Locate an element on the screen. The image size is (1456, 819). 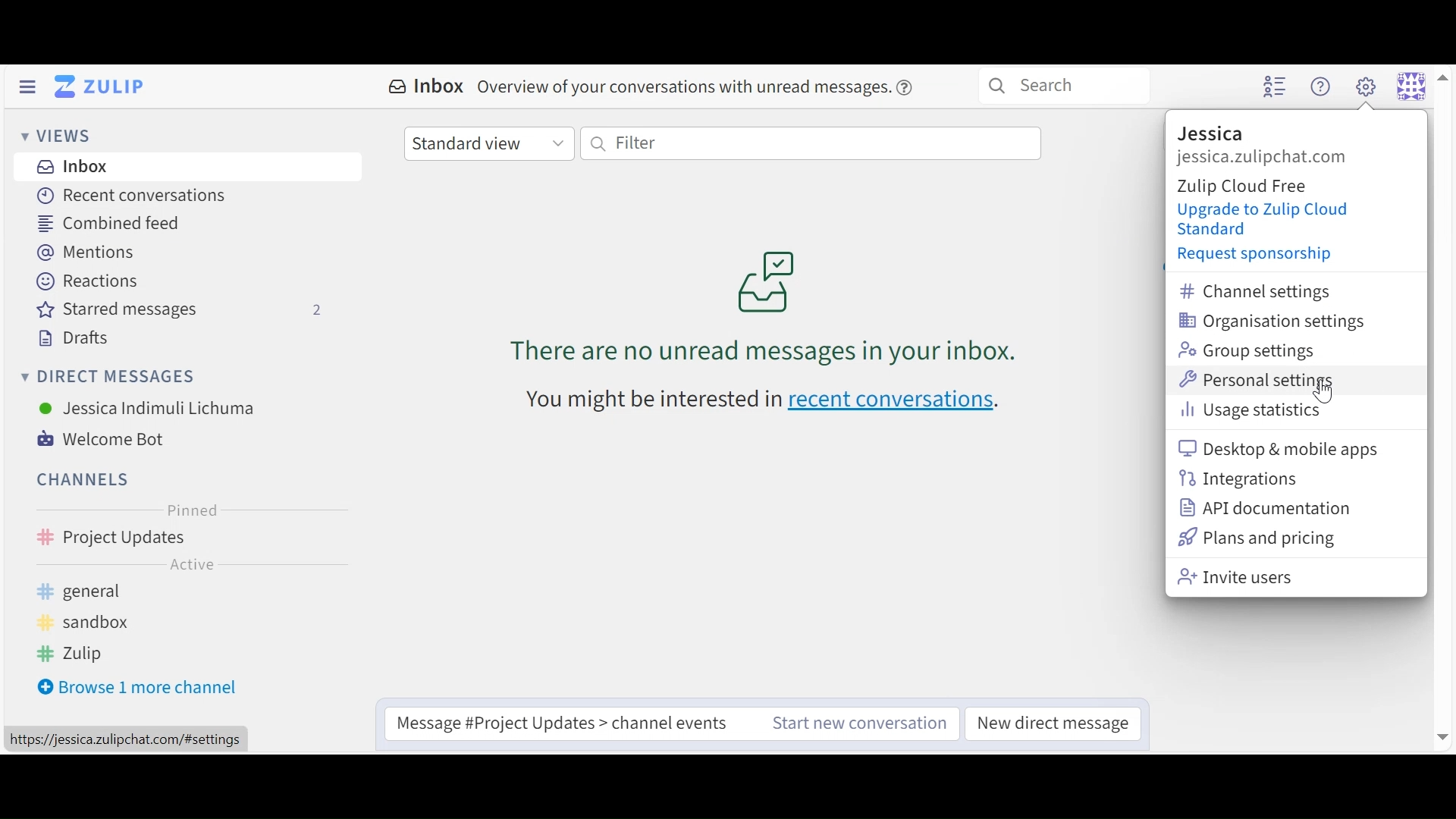
Drafts is located at coordinates (69, 339).